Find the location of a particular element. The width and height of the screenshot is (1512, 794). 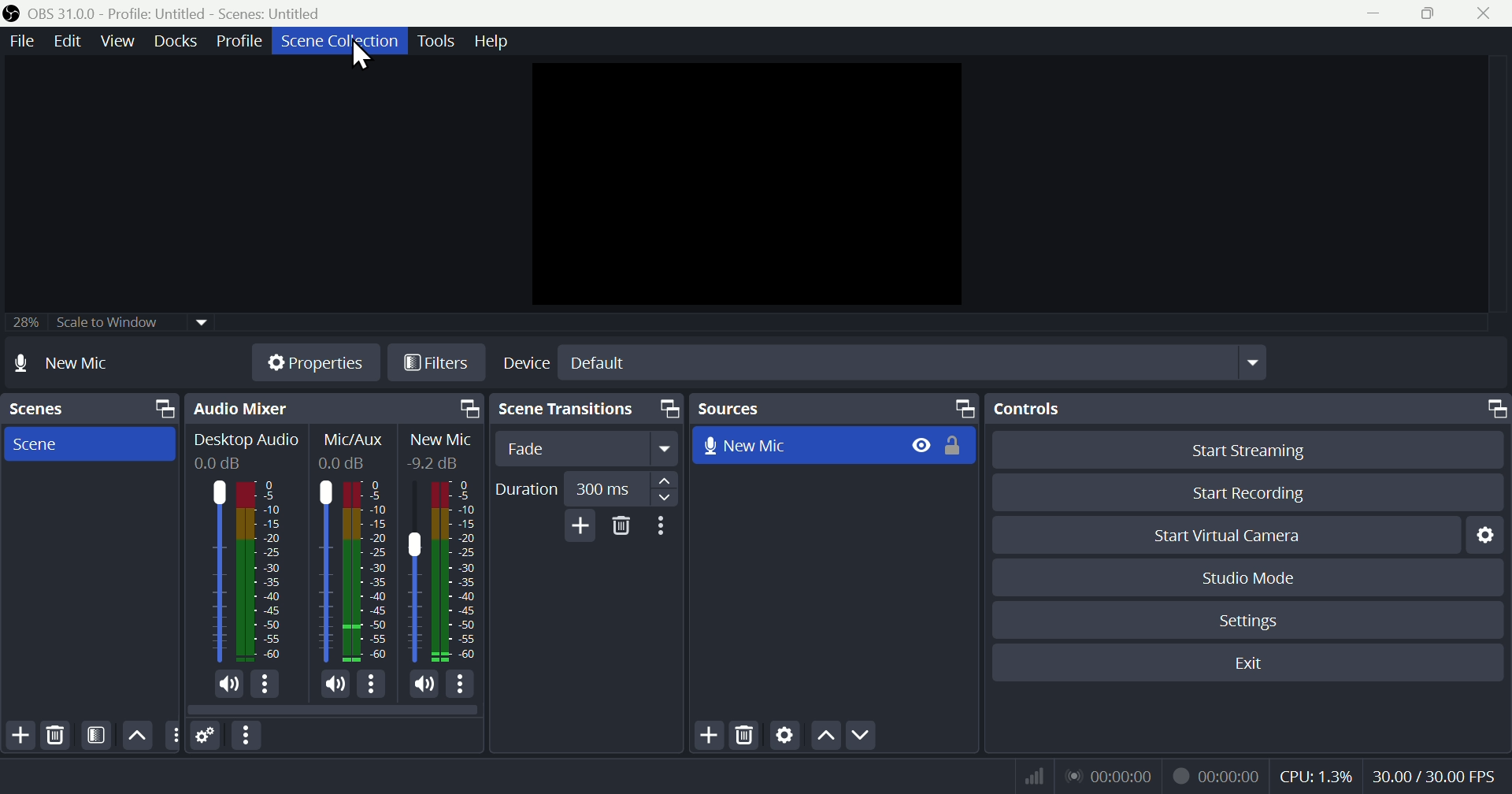

cursor is located at coordinates (362, 59).